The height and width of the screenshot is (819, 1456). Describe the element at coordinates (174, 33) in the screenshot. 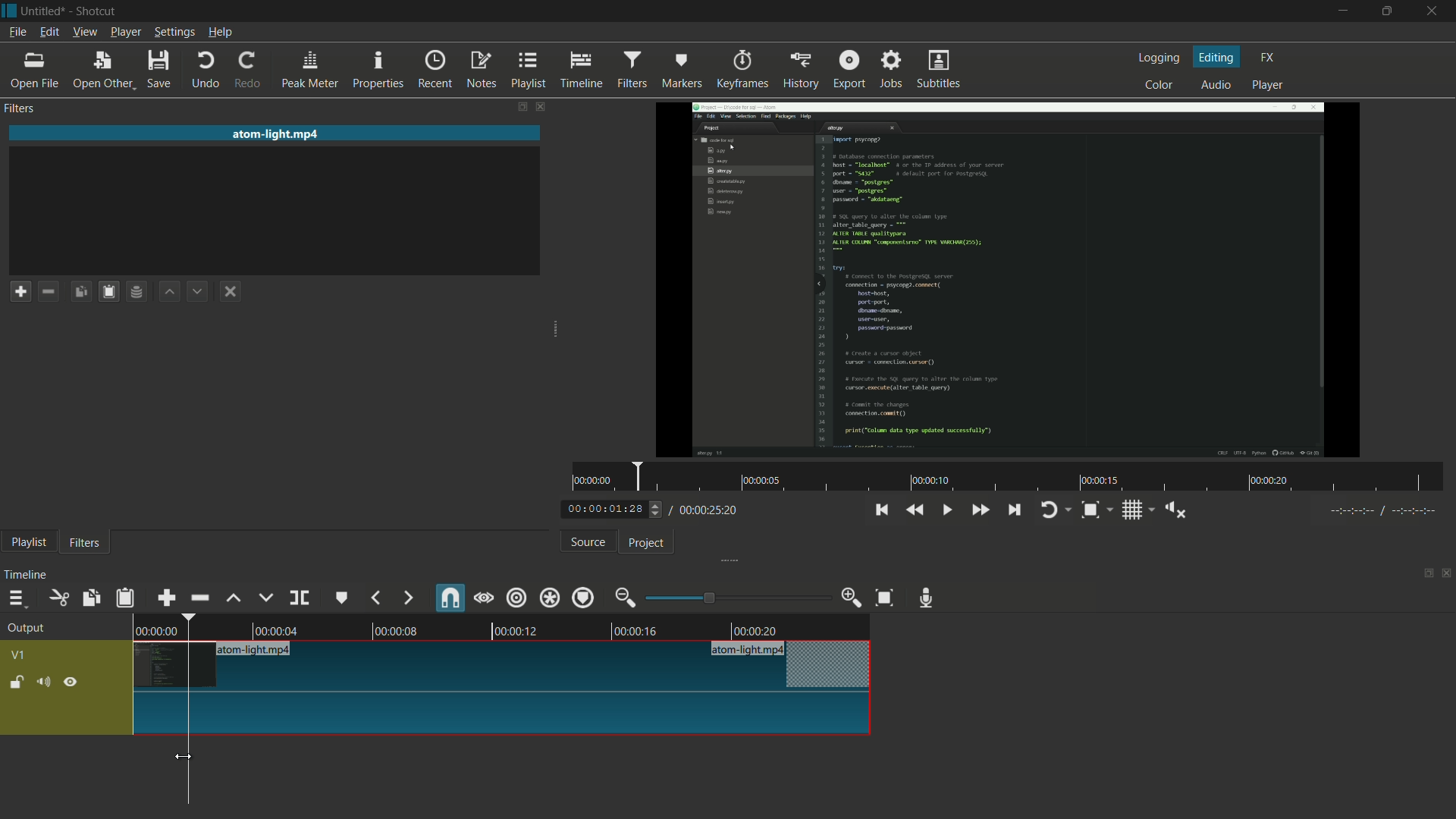

I see `settings menu` at that location.